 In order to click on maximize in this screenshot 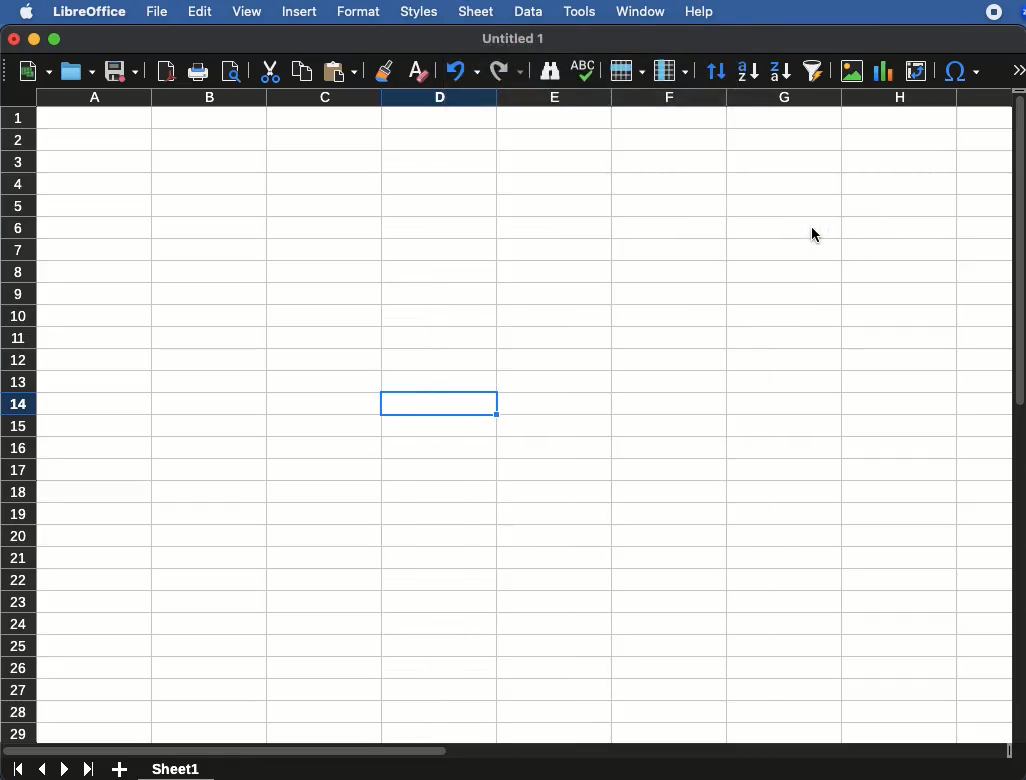, I will do `click(54, 39)`.